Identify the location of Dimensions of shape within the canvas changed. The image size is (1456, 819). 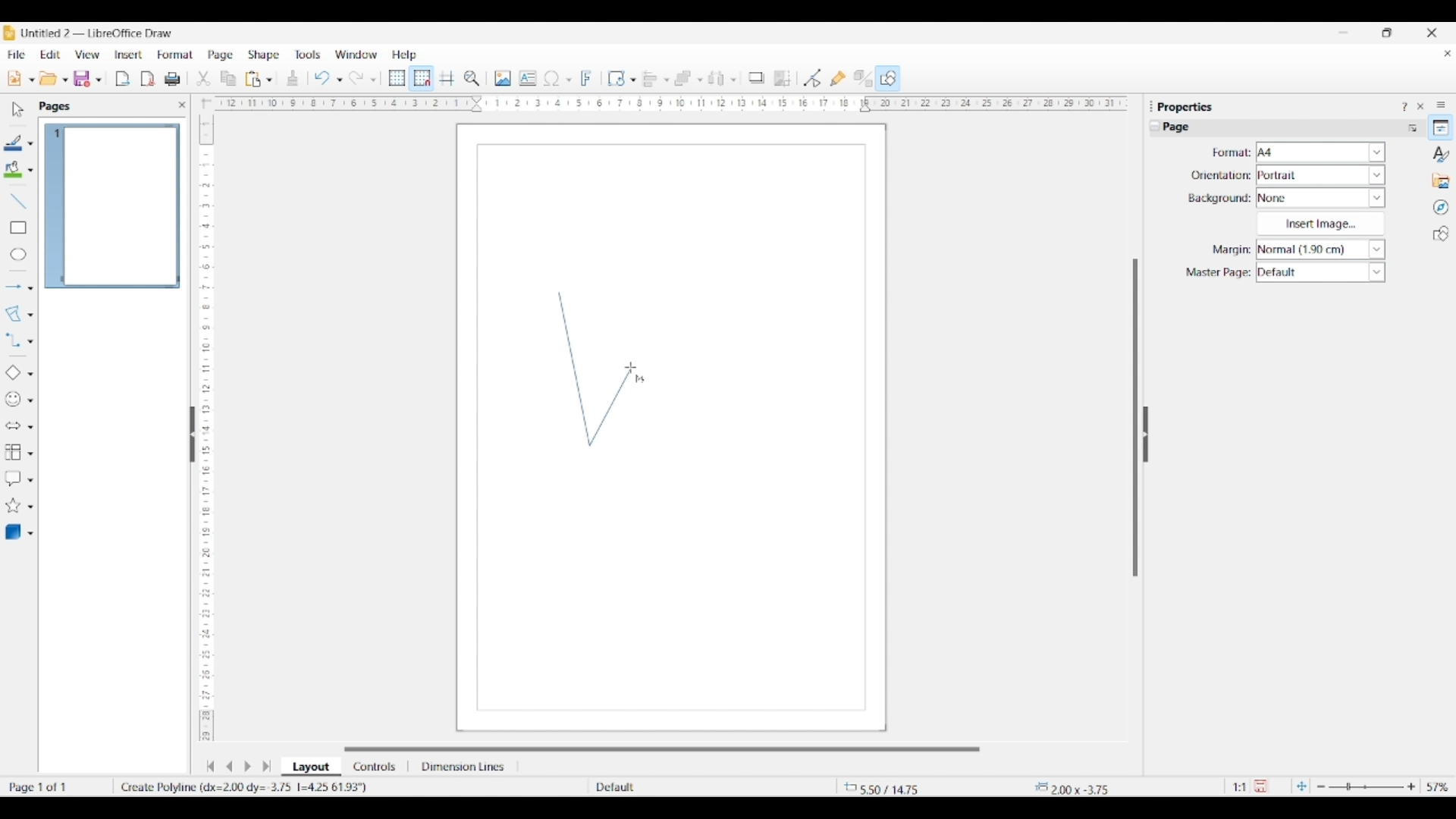
(1089, 787).